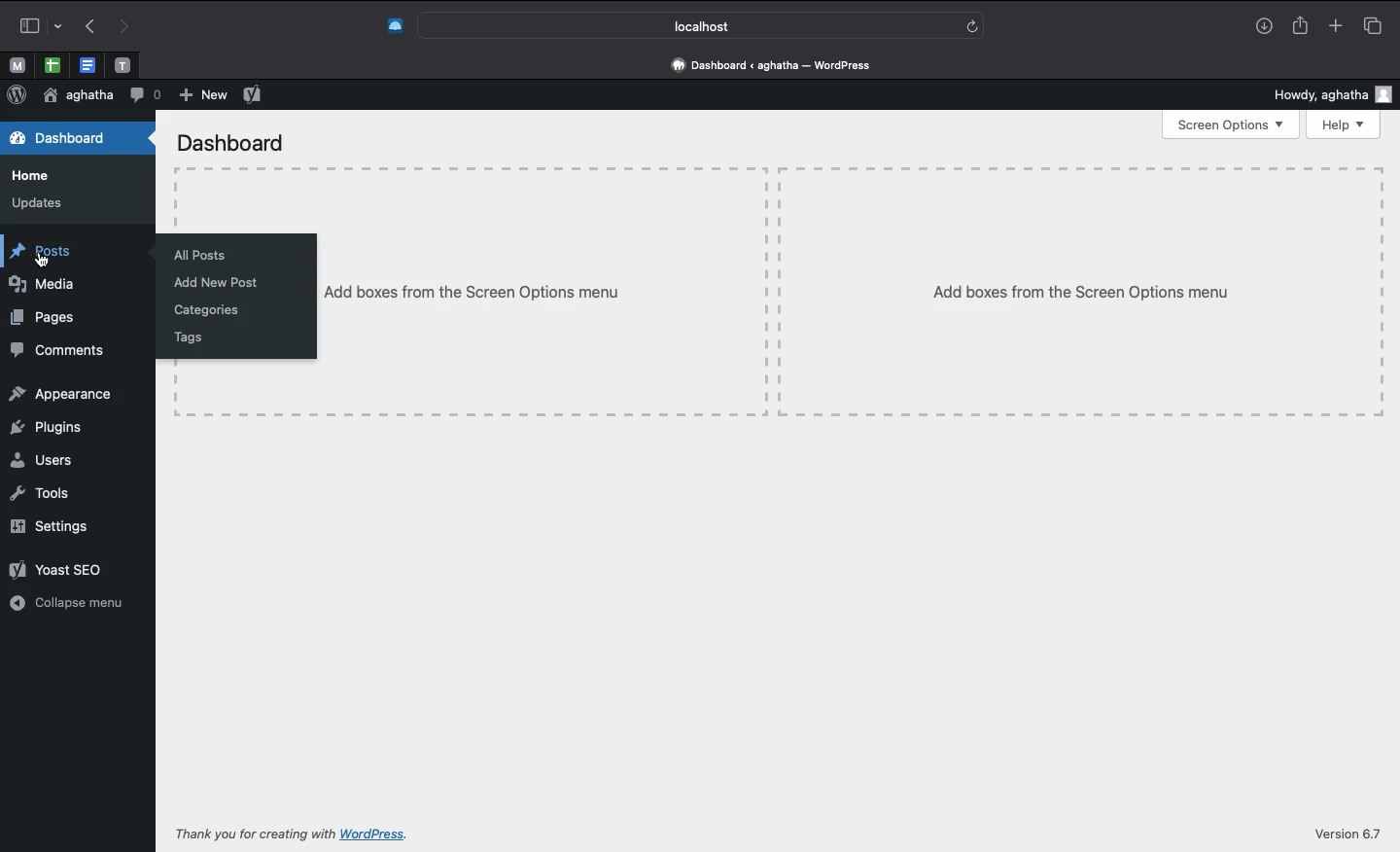 This screenshot has width=1400, height=852. I want to click on Add boxes from the screen options menu, so click(850, 292).